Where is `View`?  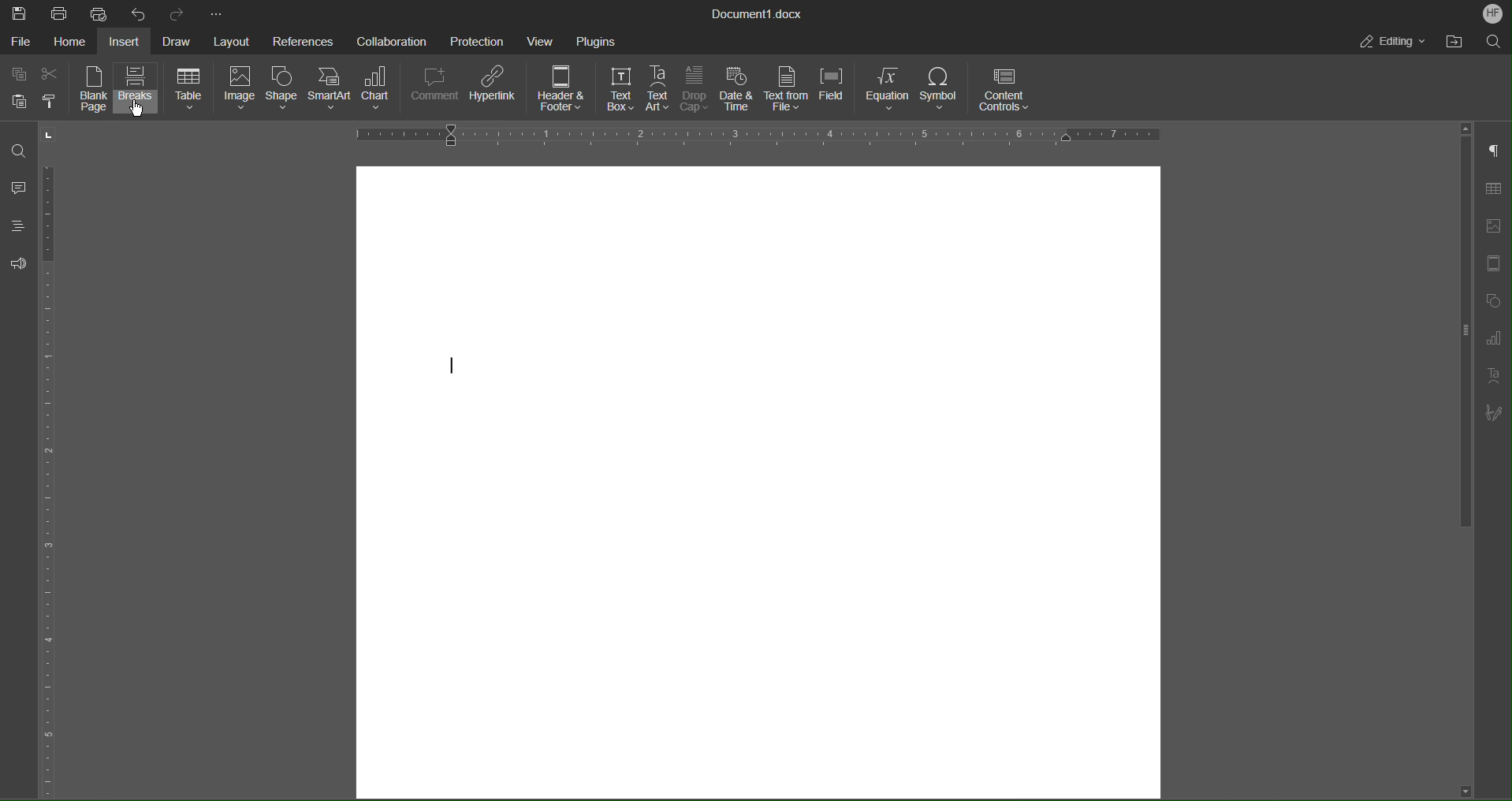
View is located at coordinates (539, 39).